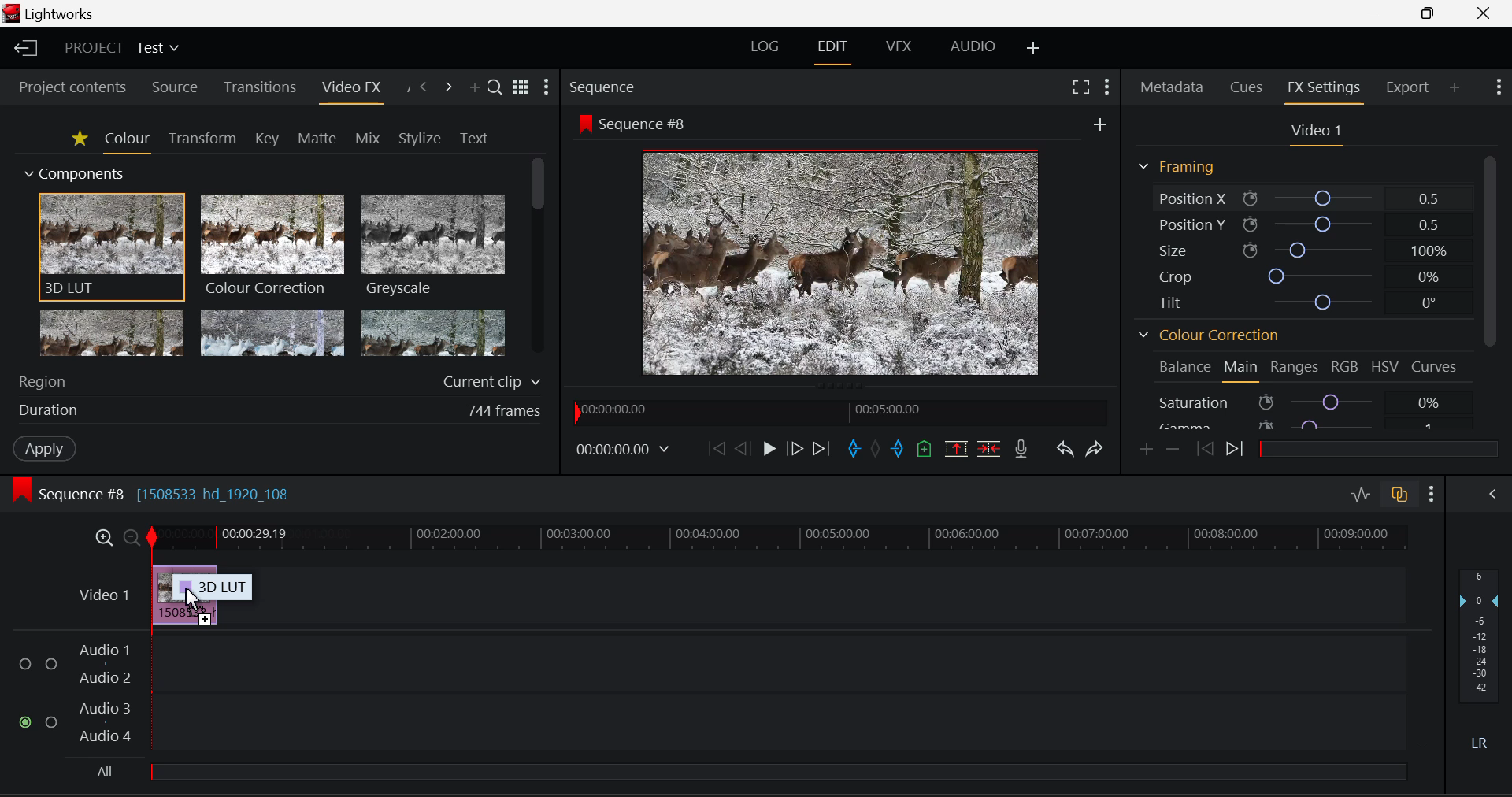 This screenshot has height=797, width=1512. What do you see at coordinates (103, 537) in the screenshot?
I see `Timeline Zoom In` at bounding box center [103, 537].